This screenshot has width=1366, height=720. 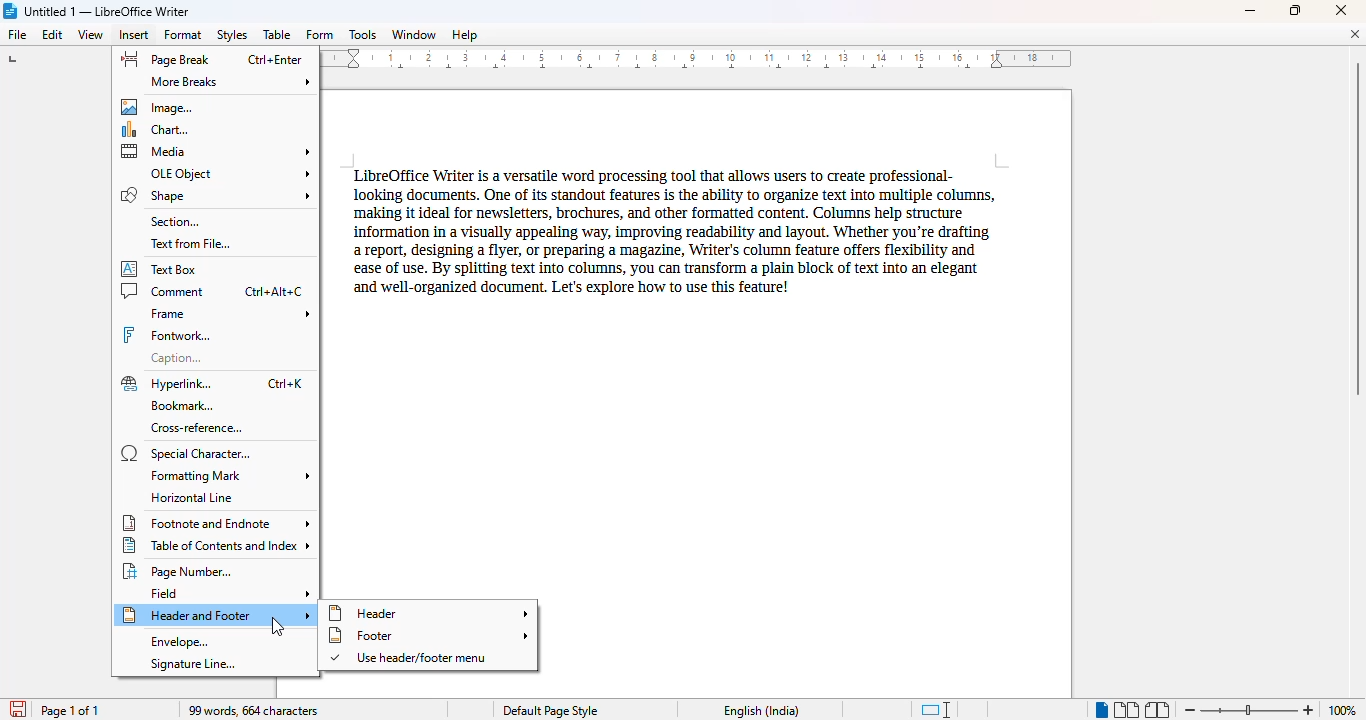 What do you see at coordinates (216, 615) in the screenshot?
I see `header and footer` at bounding box center [216, 615].